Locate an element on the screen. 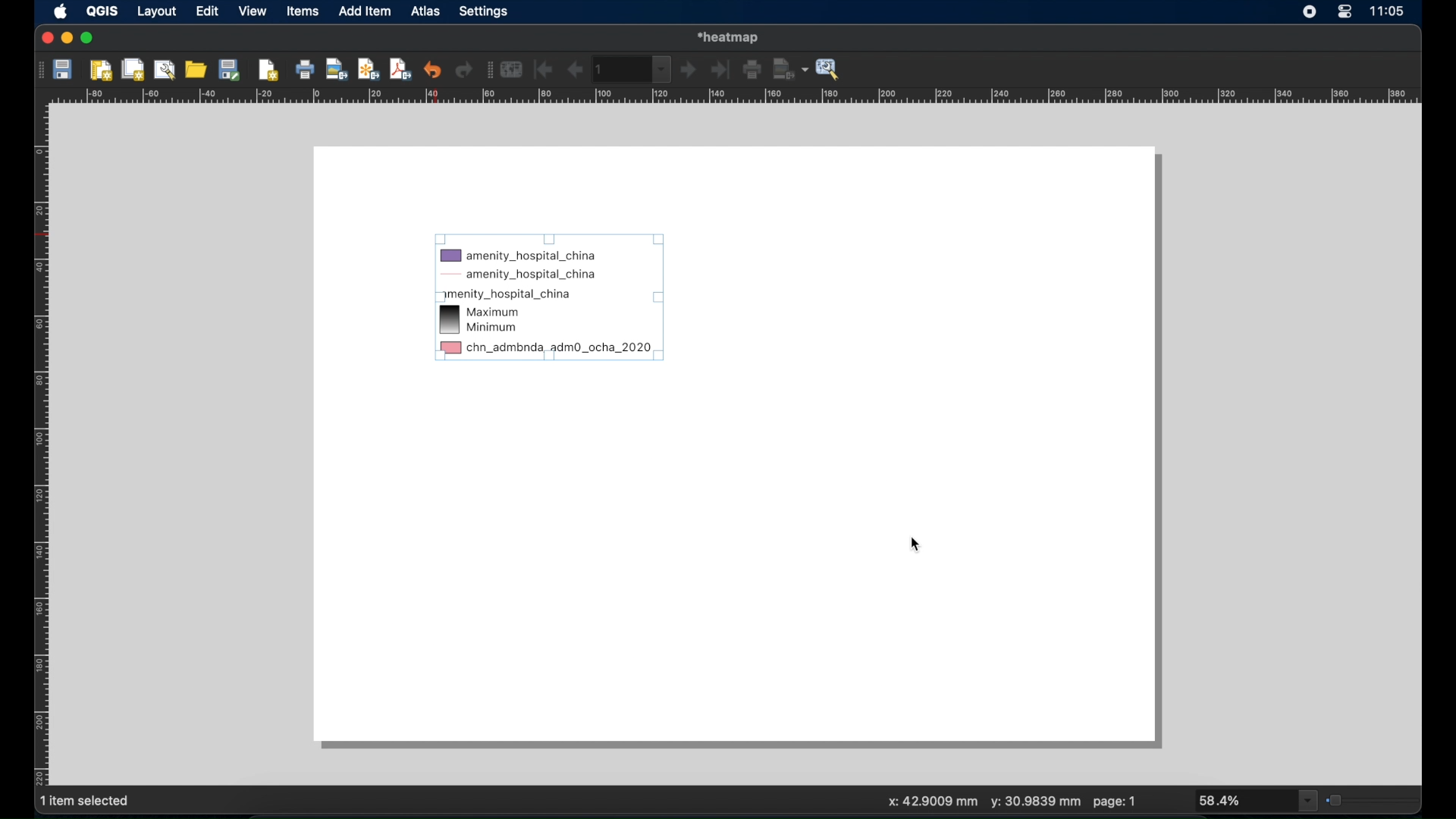  time is located at coordinates (1390, 12).